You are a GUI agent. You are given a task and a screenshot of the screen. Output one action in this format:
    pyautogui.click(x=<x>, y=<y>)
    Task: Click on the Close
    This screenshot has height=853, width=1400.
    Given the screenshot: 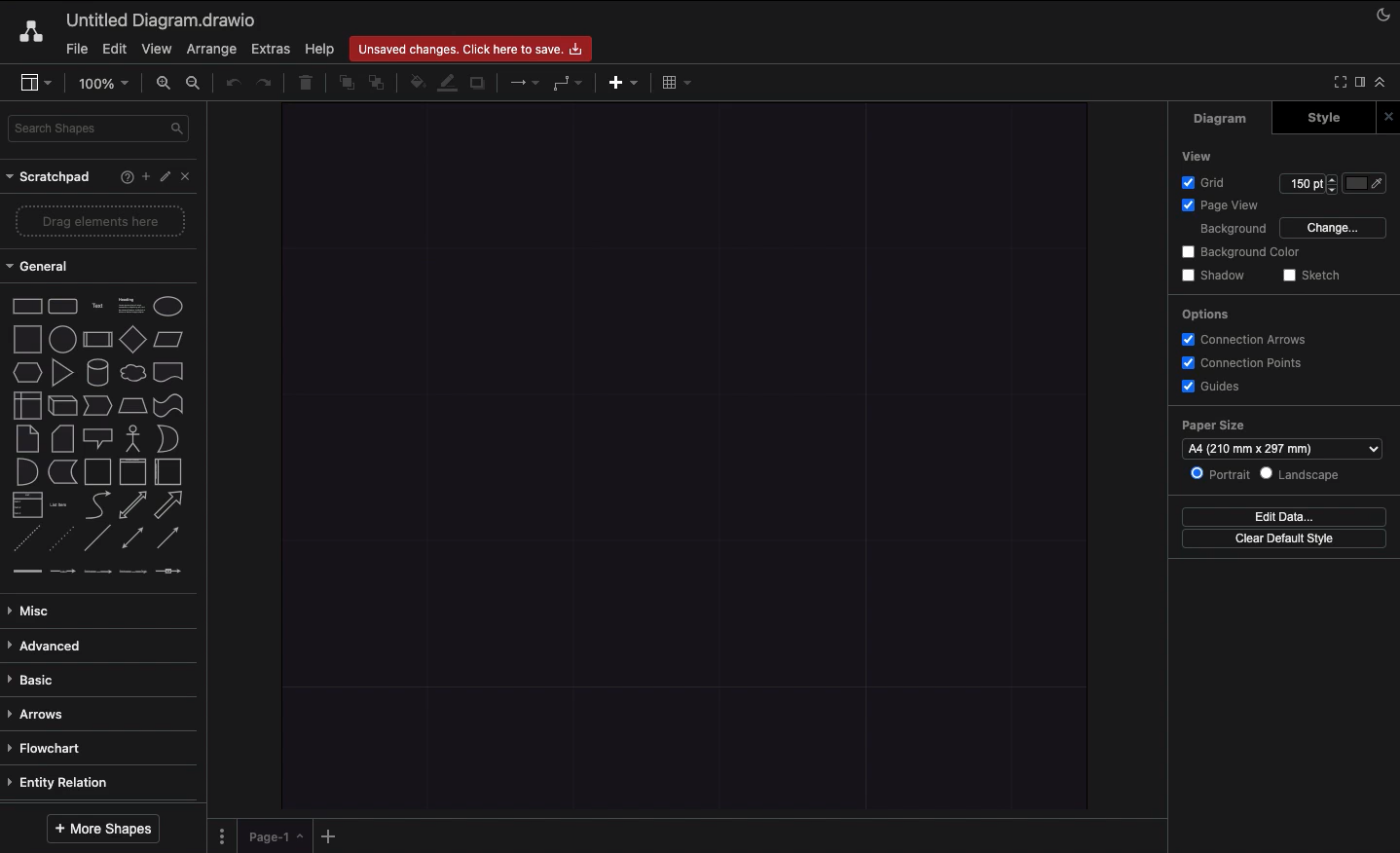 What is the action you would take?
    pyautogui.click(x=1386, y=115)
    